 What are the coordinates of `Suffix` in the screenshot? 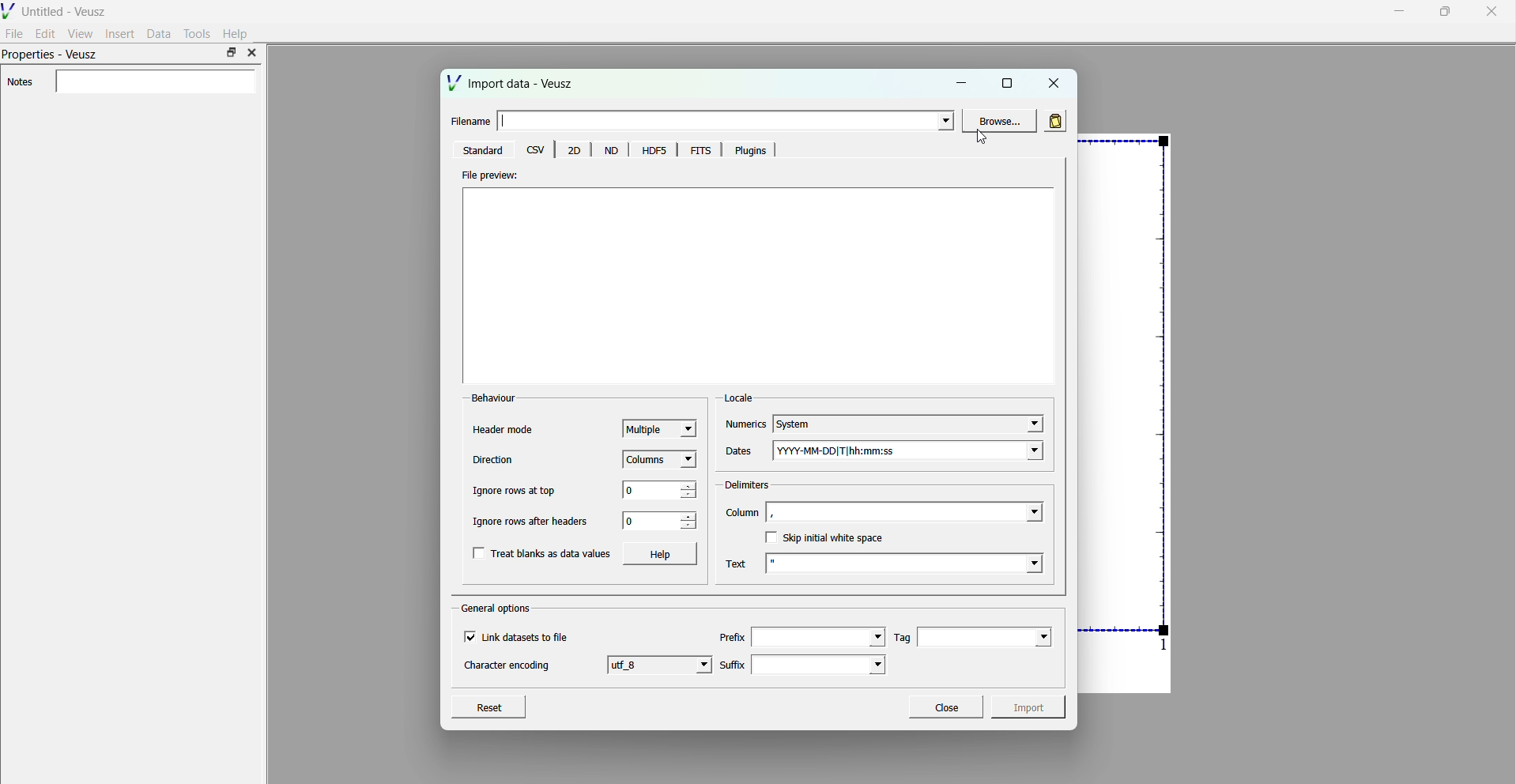 It's located at (733, 663).